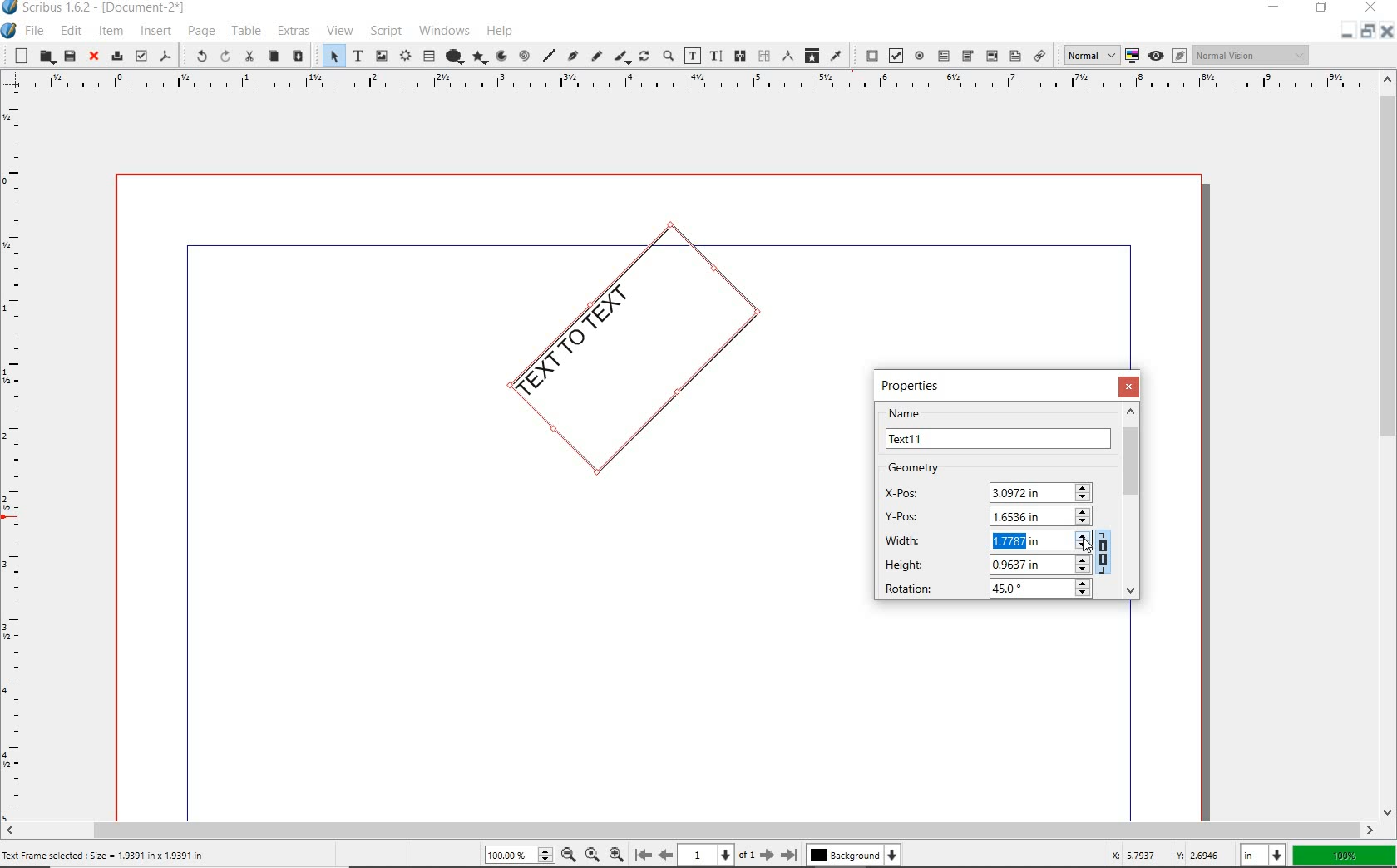 The image size is (1397, 868). Describe the element at coordinates (195, 57) in the screenshot. I see `undo` at that location.